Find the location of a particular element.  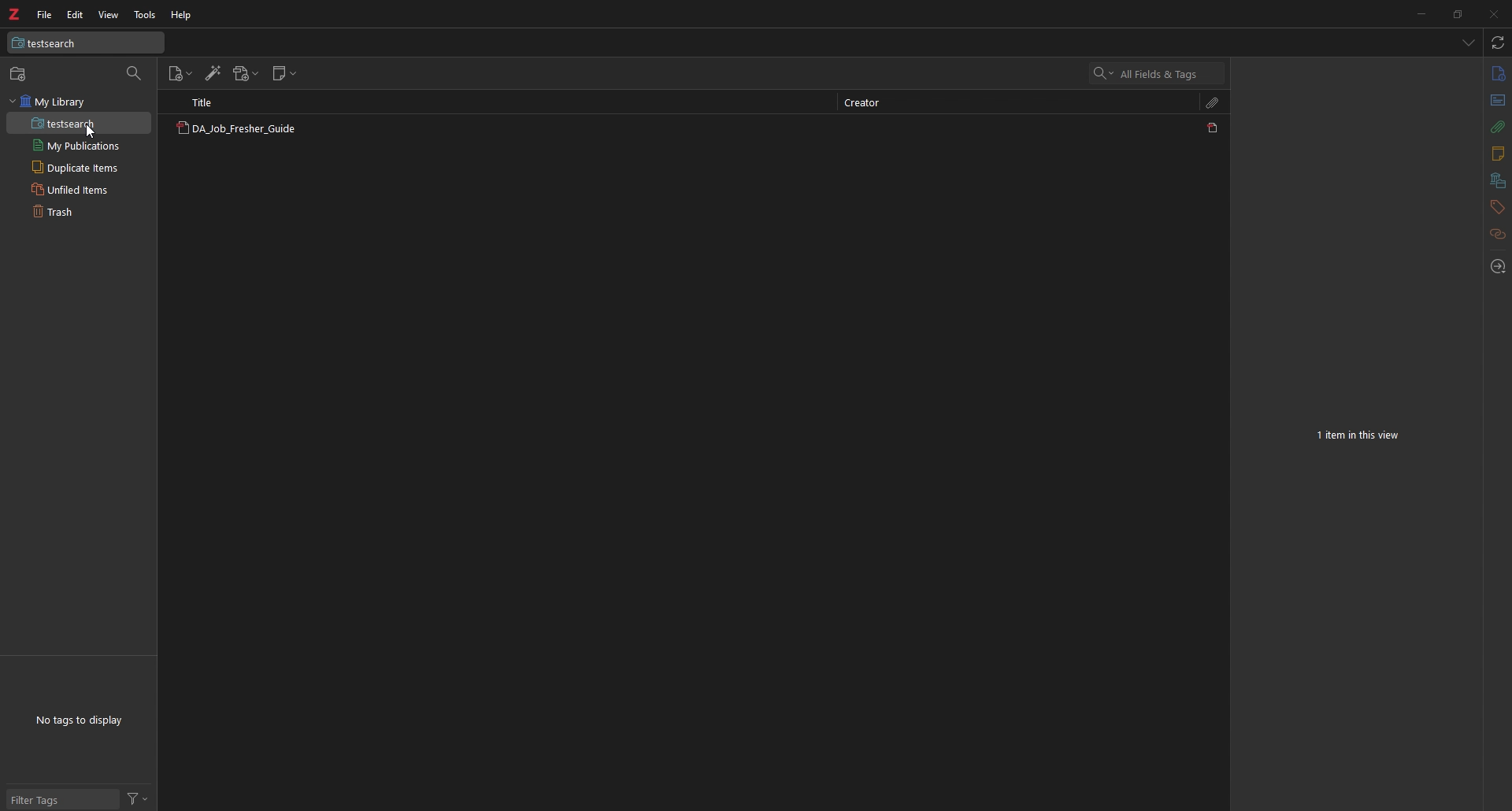

testsearch is located at coordinates (79, 124).